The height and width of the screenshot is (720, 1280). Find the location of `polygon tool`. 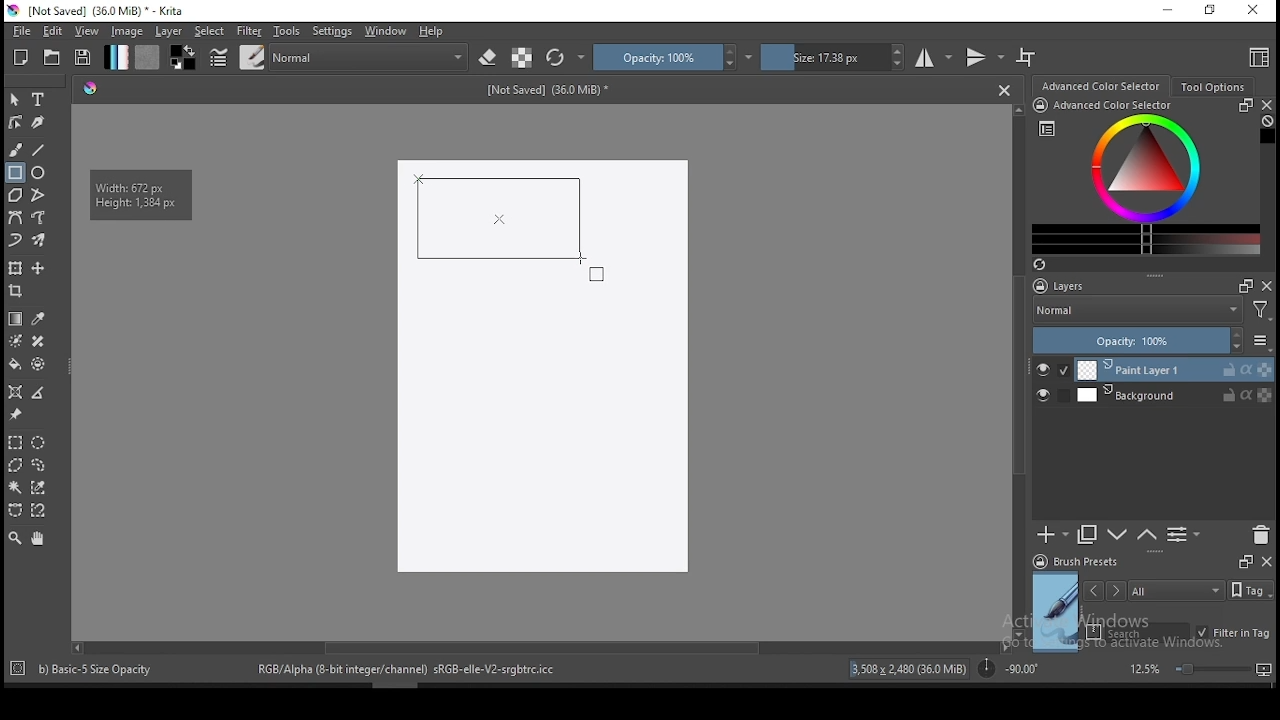

polygon tool is located at coordinates (14, 195).